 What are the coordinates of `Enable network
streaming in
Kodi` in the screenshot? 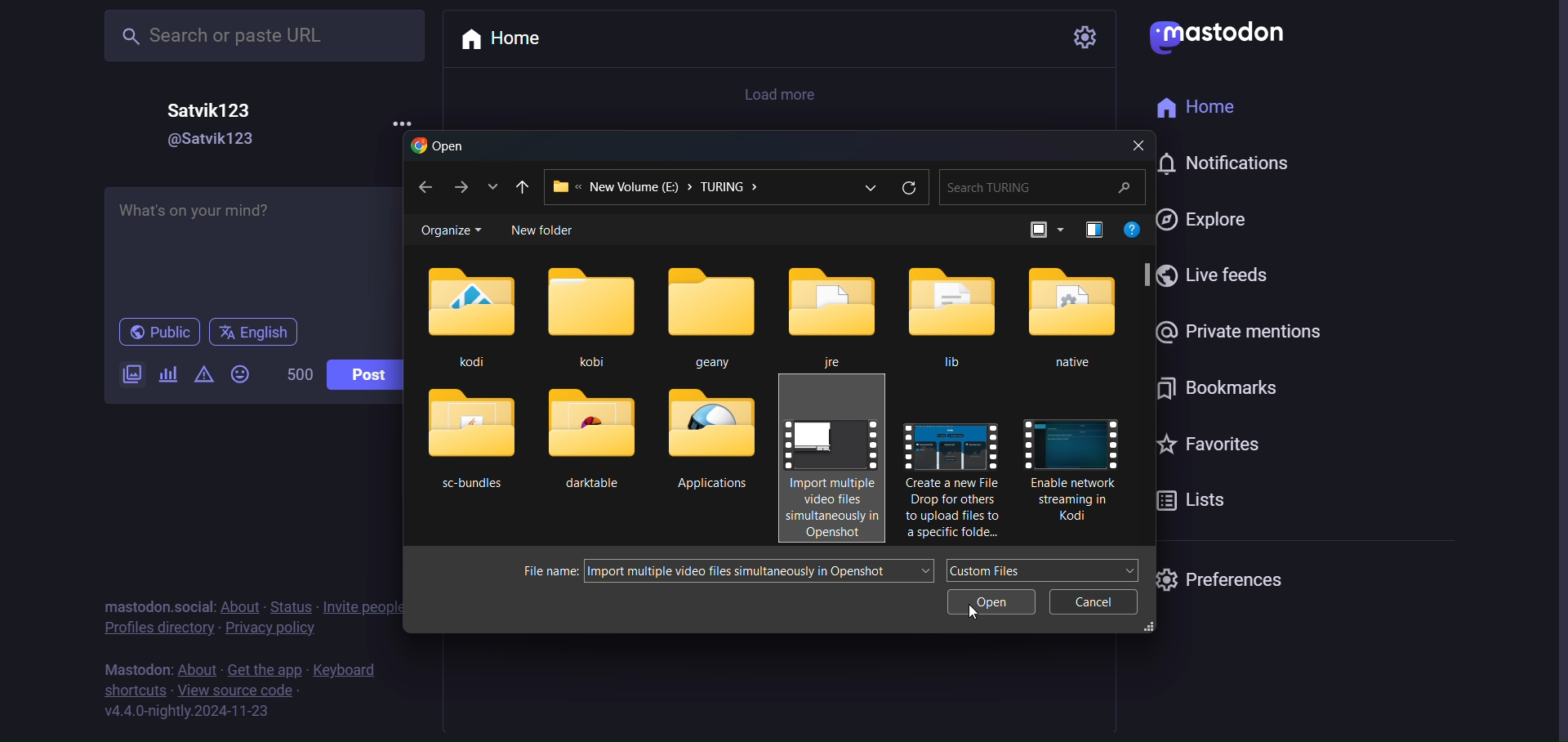 It's located at (1075, 472).